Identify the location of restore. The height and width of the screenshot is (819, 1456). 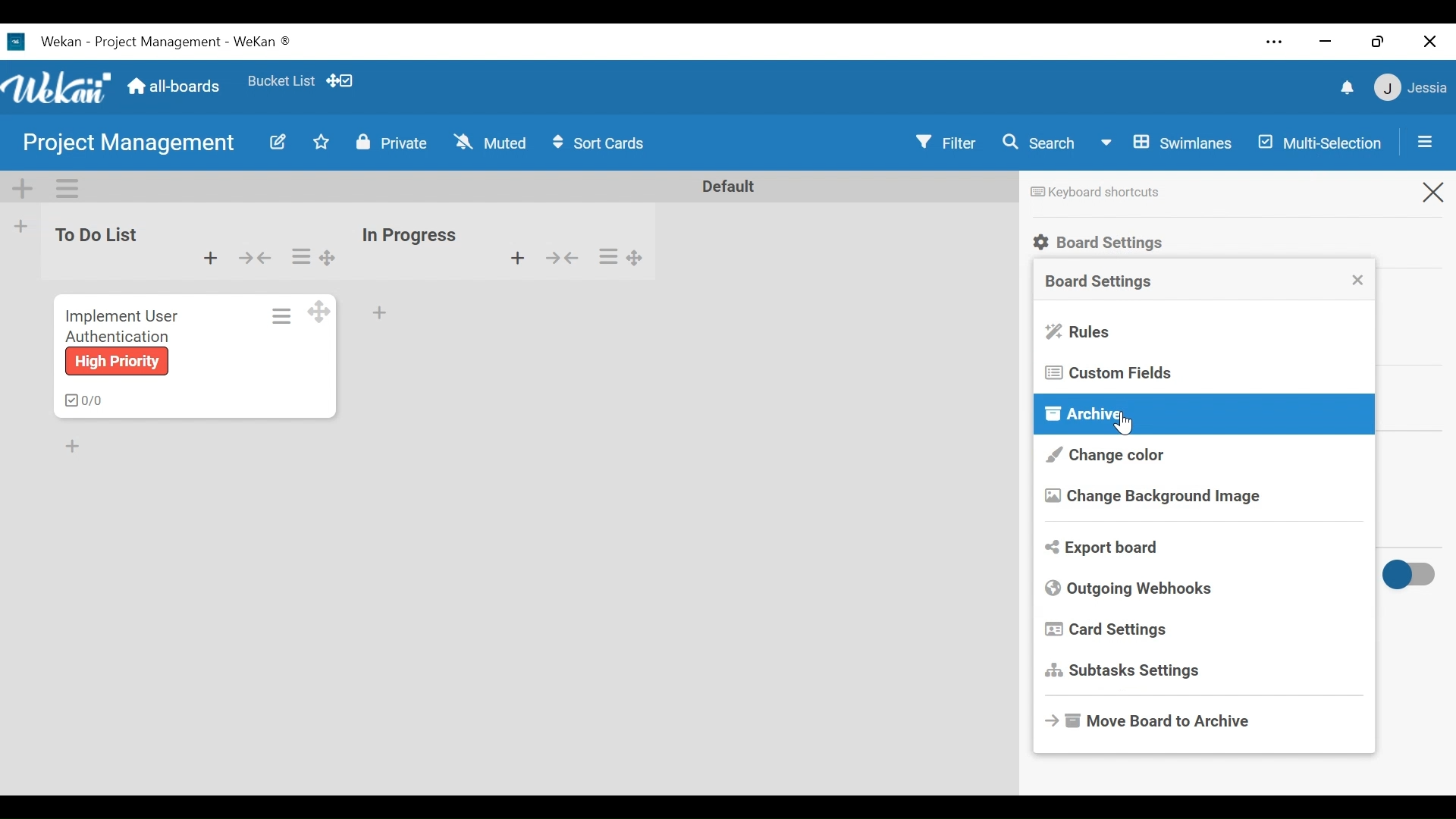
(1377, 41).